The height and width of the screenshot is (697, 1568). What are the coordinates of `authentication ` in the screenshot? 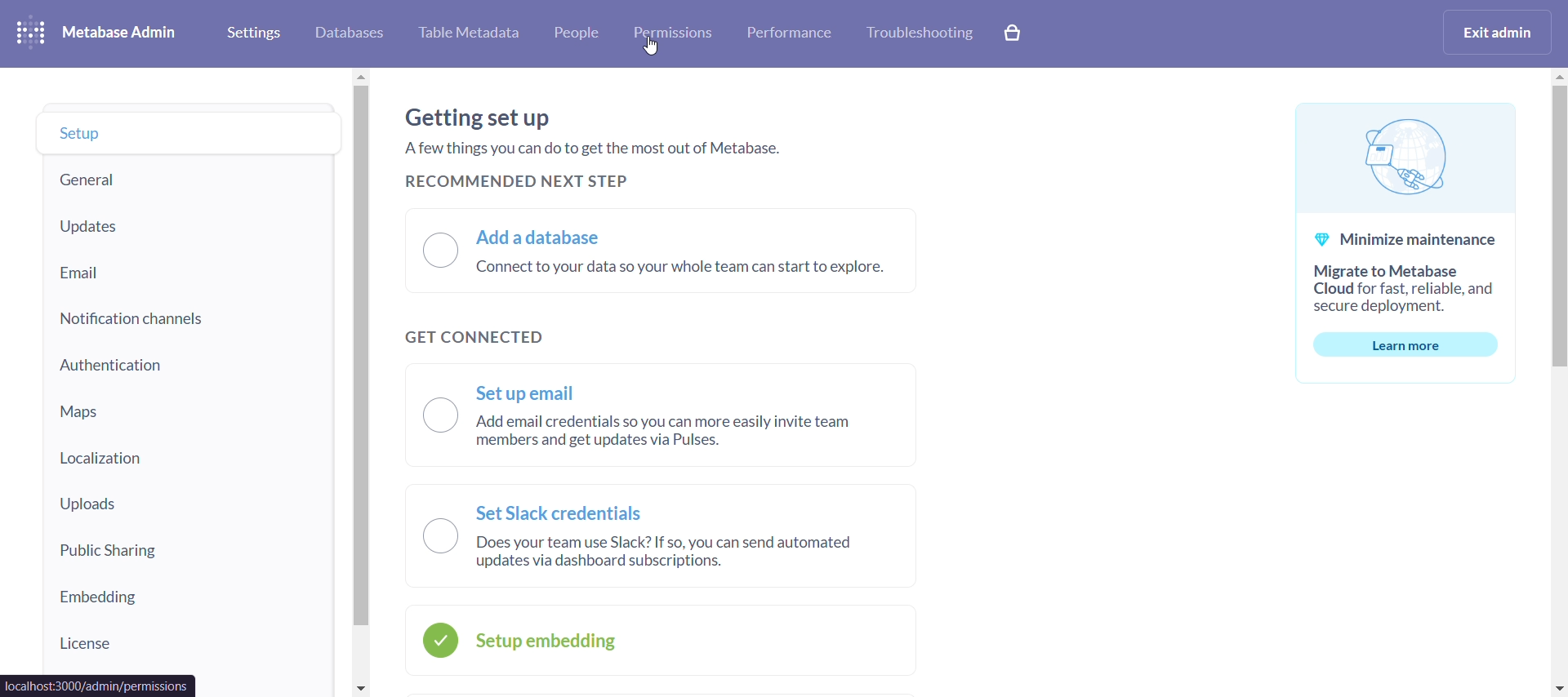 It's located at (185, 364).